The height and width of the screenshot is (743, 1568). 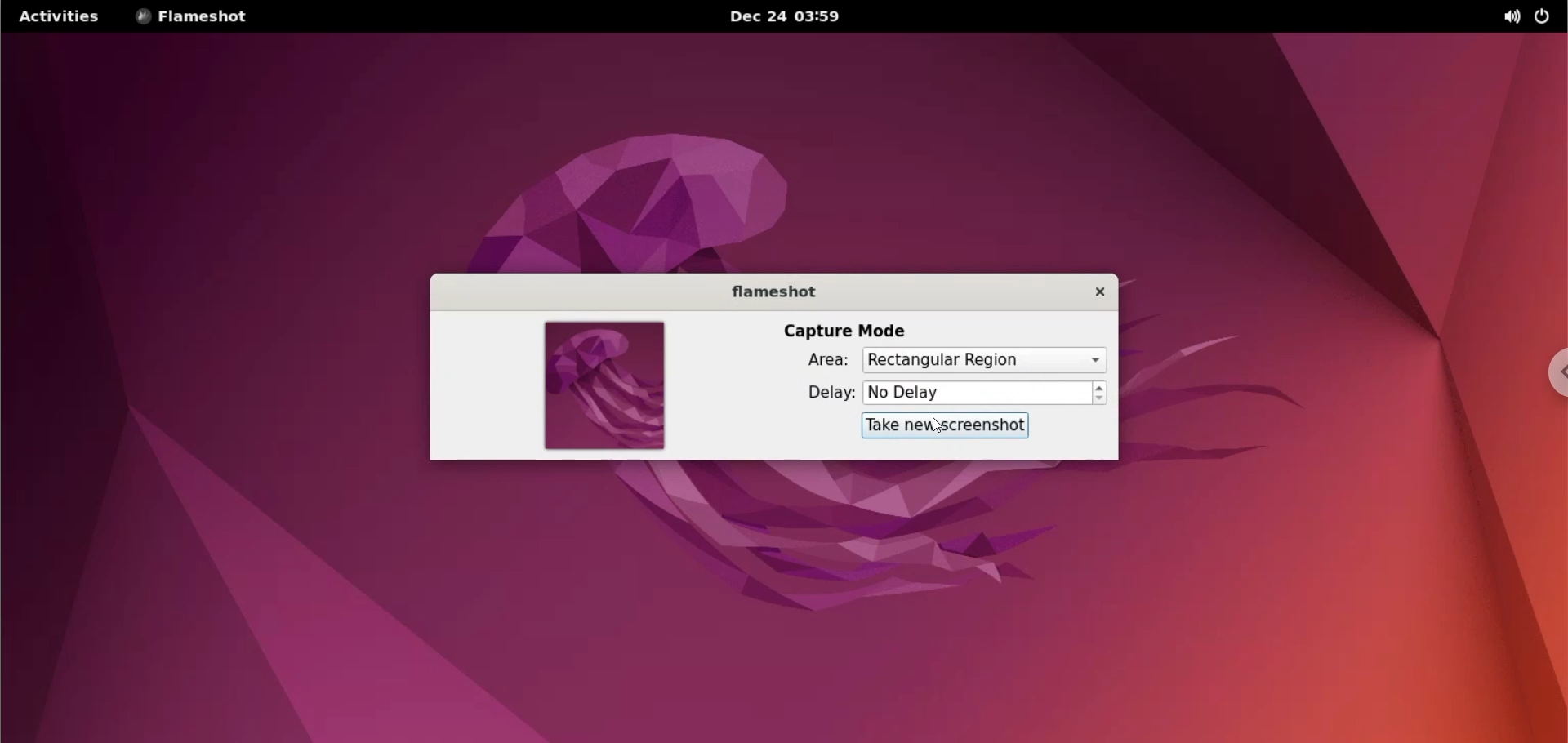 I want to click on increment or decrement delay, so click(x=1098, y=394).